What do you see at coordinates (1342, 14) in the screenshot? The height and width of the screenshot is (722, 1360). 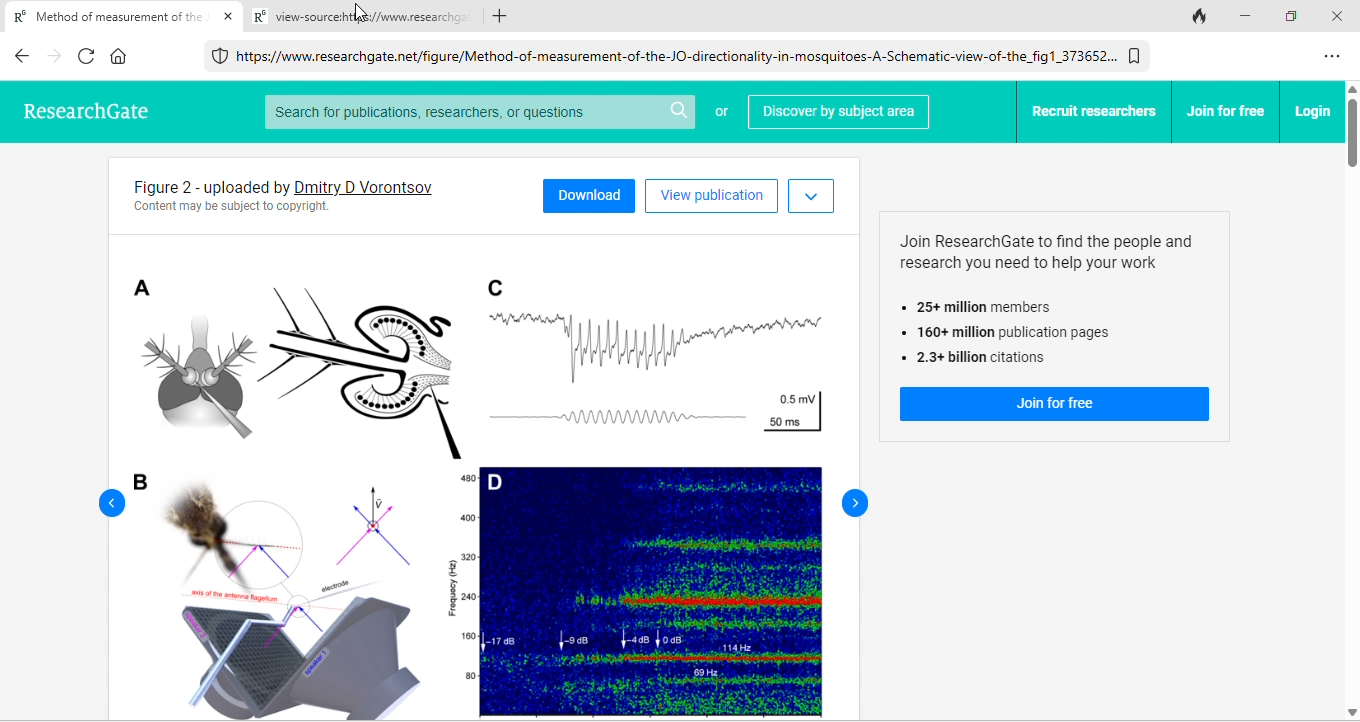 I see `close` at bounding box center [1342, 14].